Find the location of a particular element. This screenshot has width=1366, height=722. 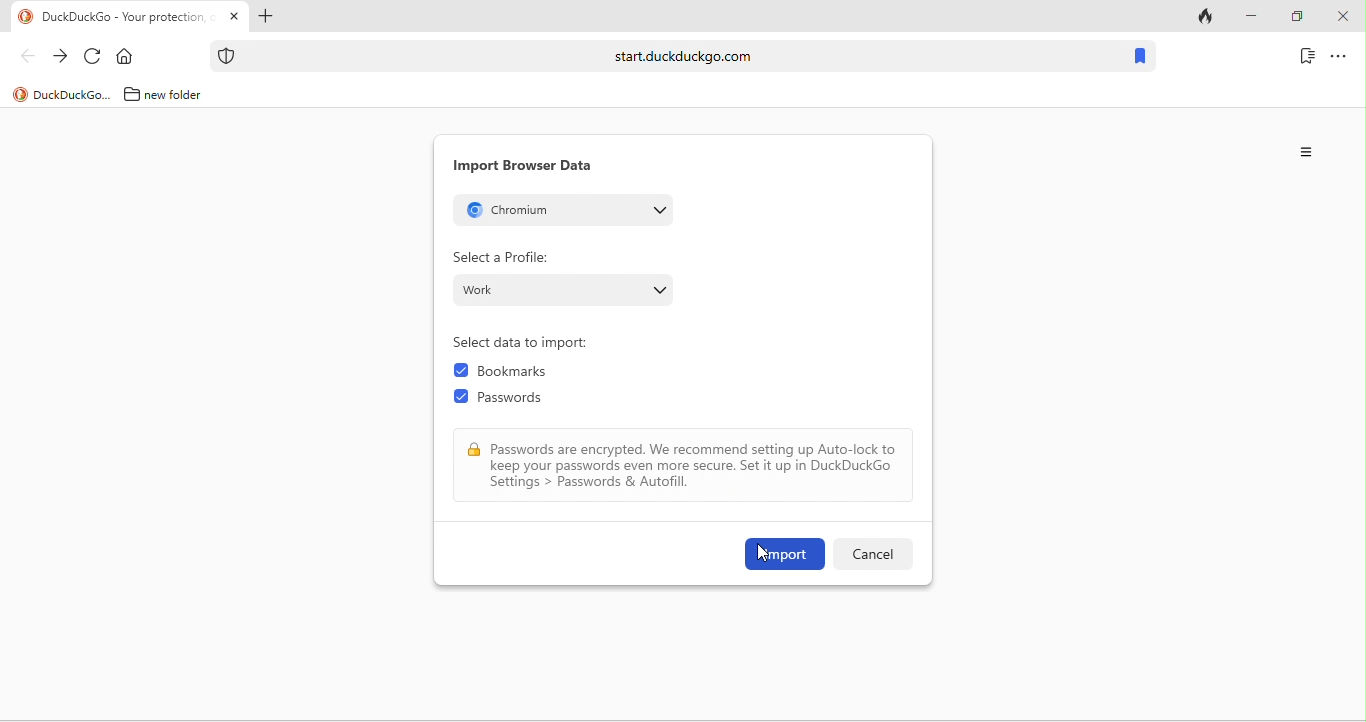

start.duckduckgo.com is located at coordinates (683, 55).